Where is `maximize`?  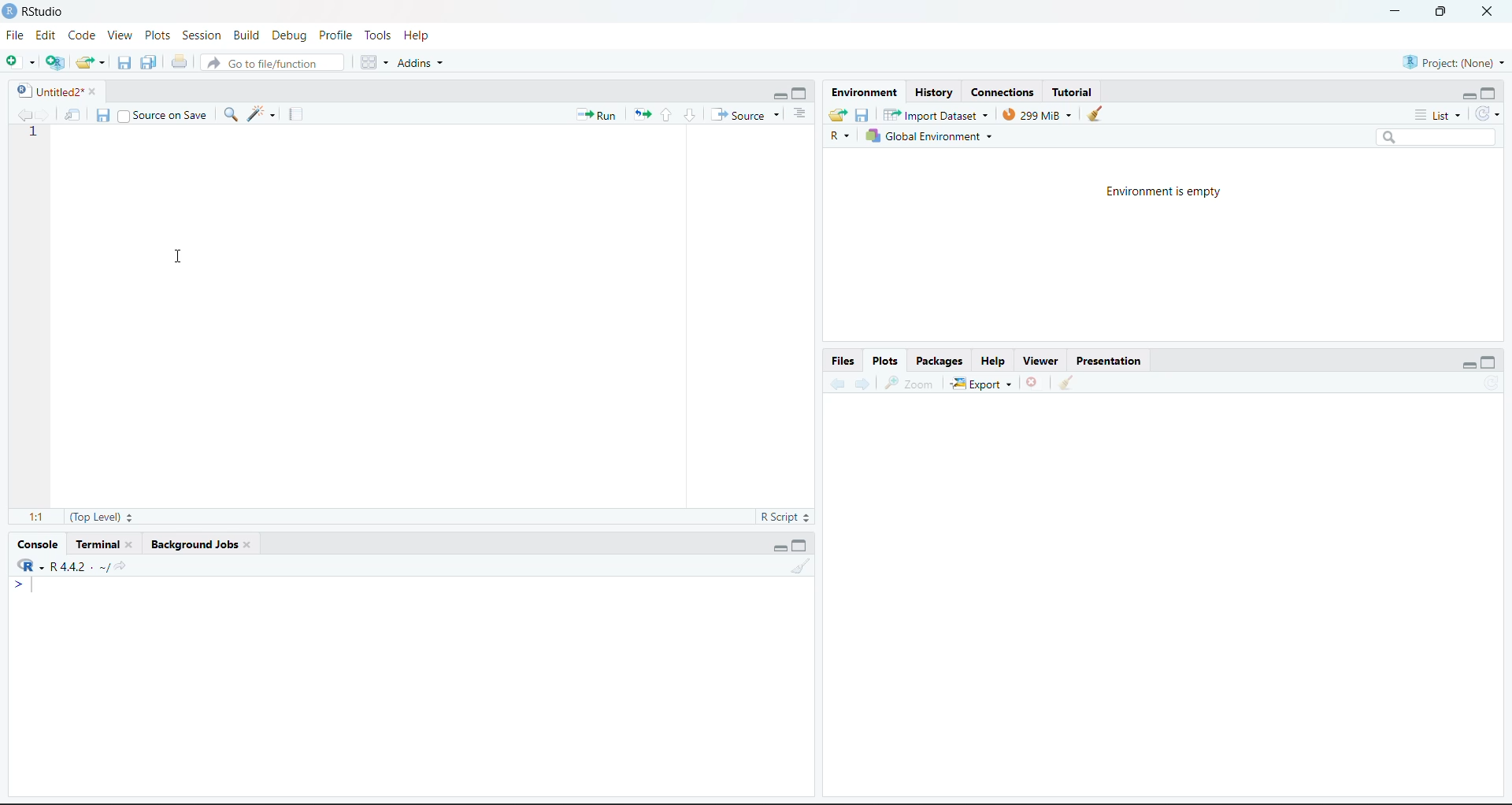 maximize is located at coordinates (799, 93).